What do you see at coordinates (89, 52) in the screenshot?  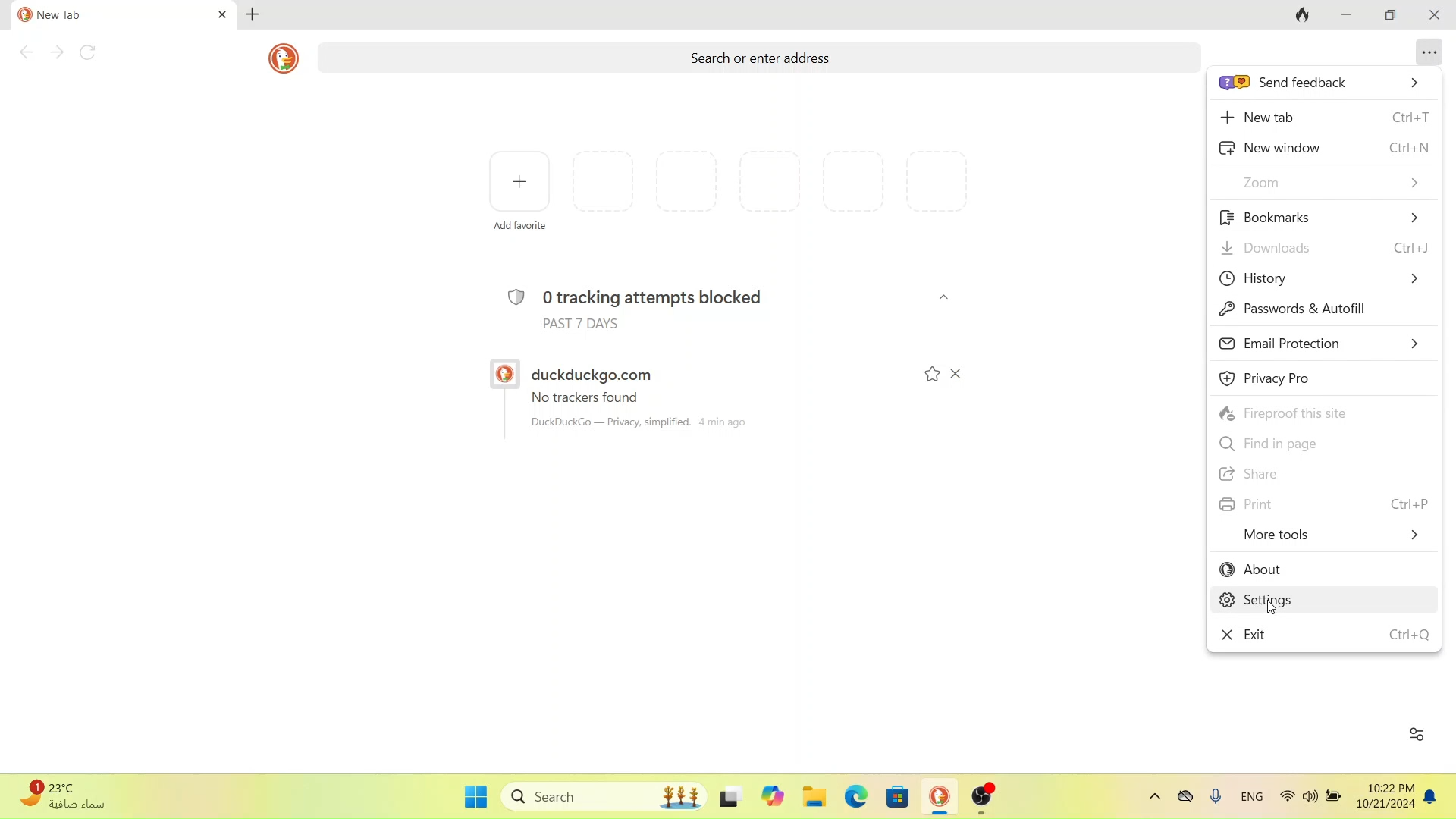 I see `refresh` at bounding box center [89, 52].